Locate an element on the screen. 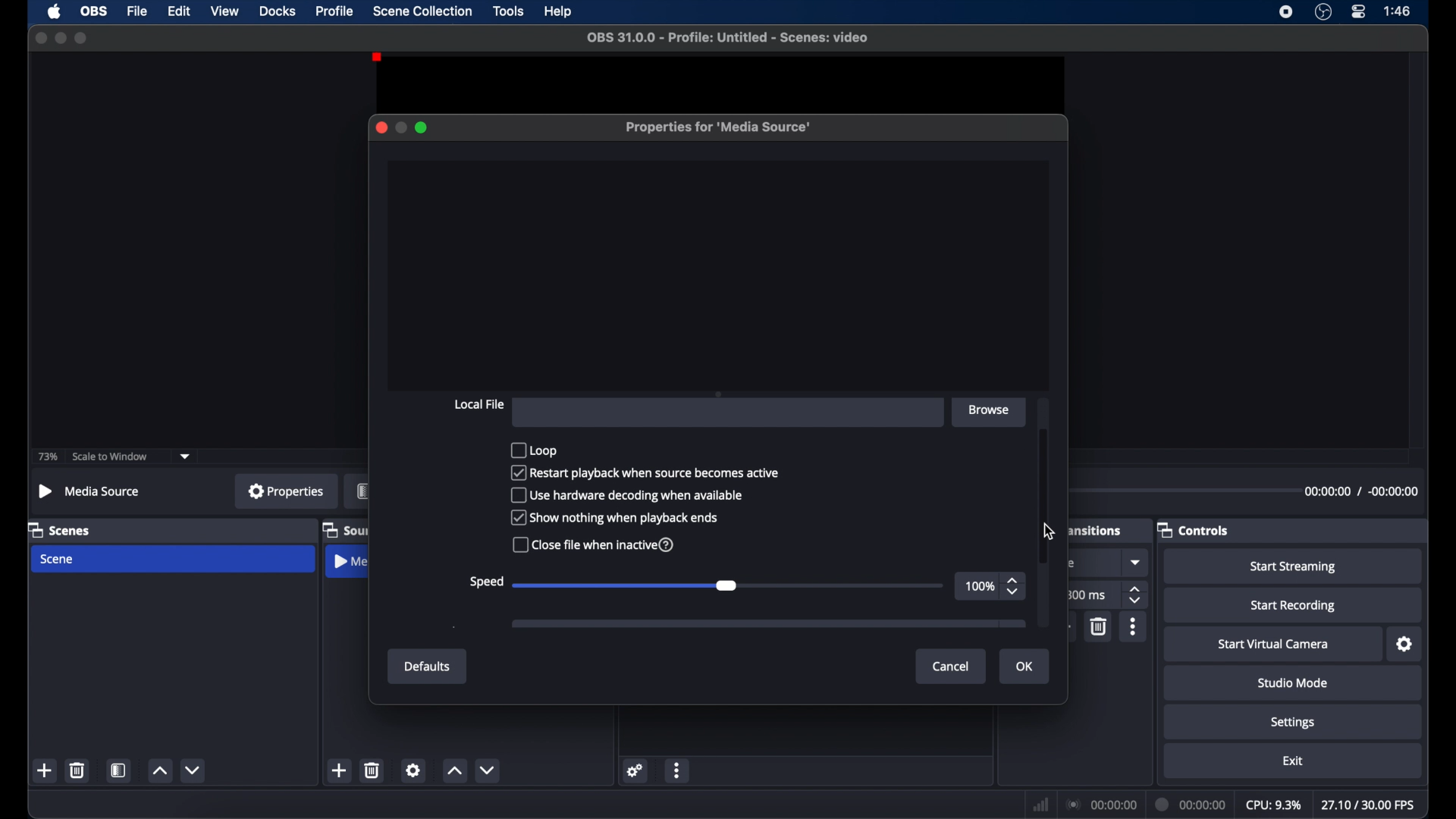 The width and height of the screenshot is (1456, 819). apple icon is located at coordinates (56, 11).